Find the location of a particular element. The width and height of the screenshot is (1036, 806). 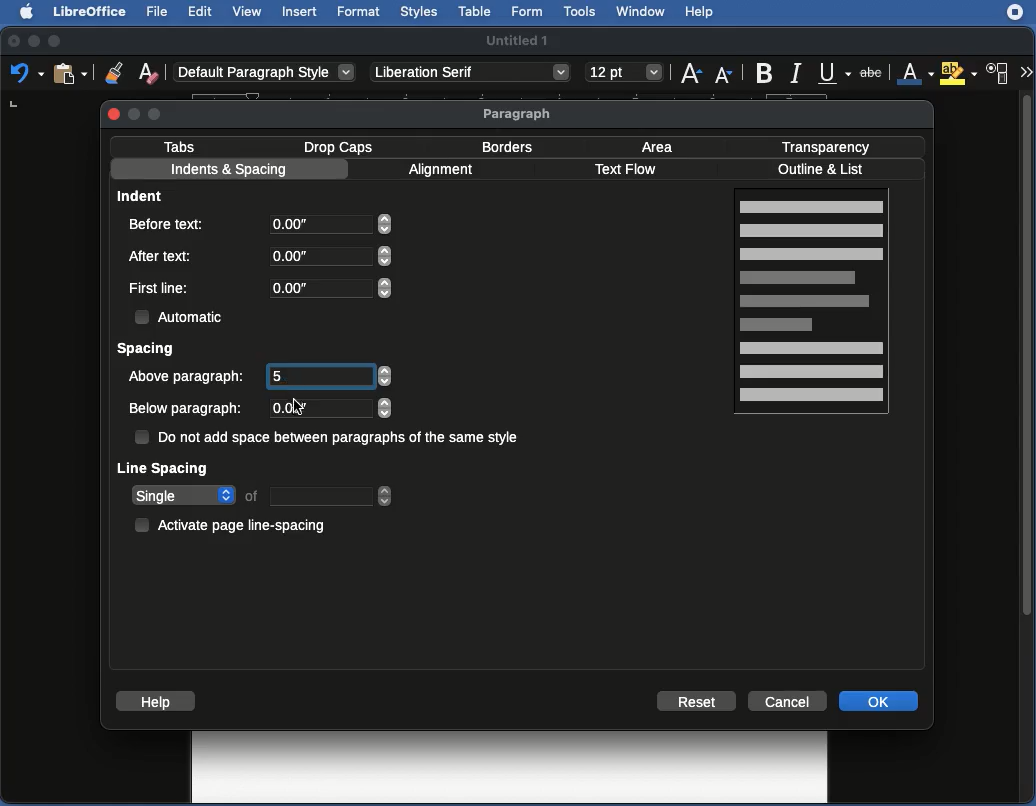

Area is located at coordinates (662, 146).